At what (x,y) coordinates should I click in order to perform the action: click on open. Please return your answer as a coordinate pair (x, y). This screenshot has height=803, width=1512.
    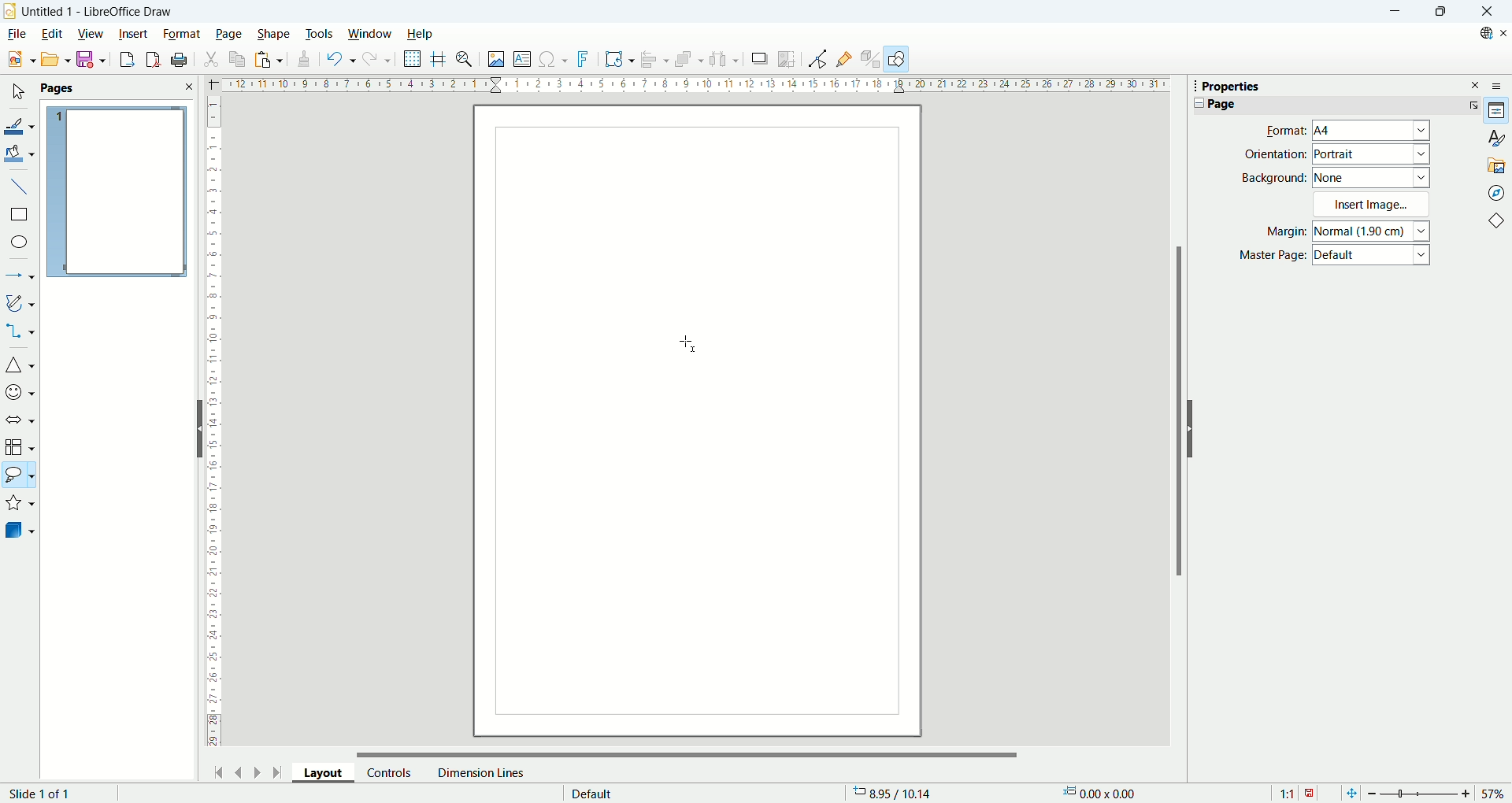
    Looking at the image, I should click on (54, 59).